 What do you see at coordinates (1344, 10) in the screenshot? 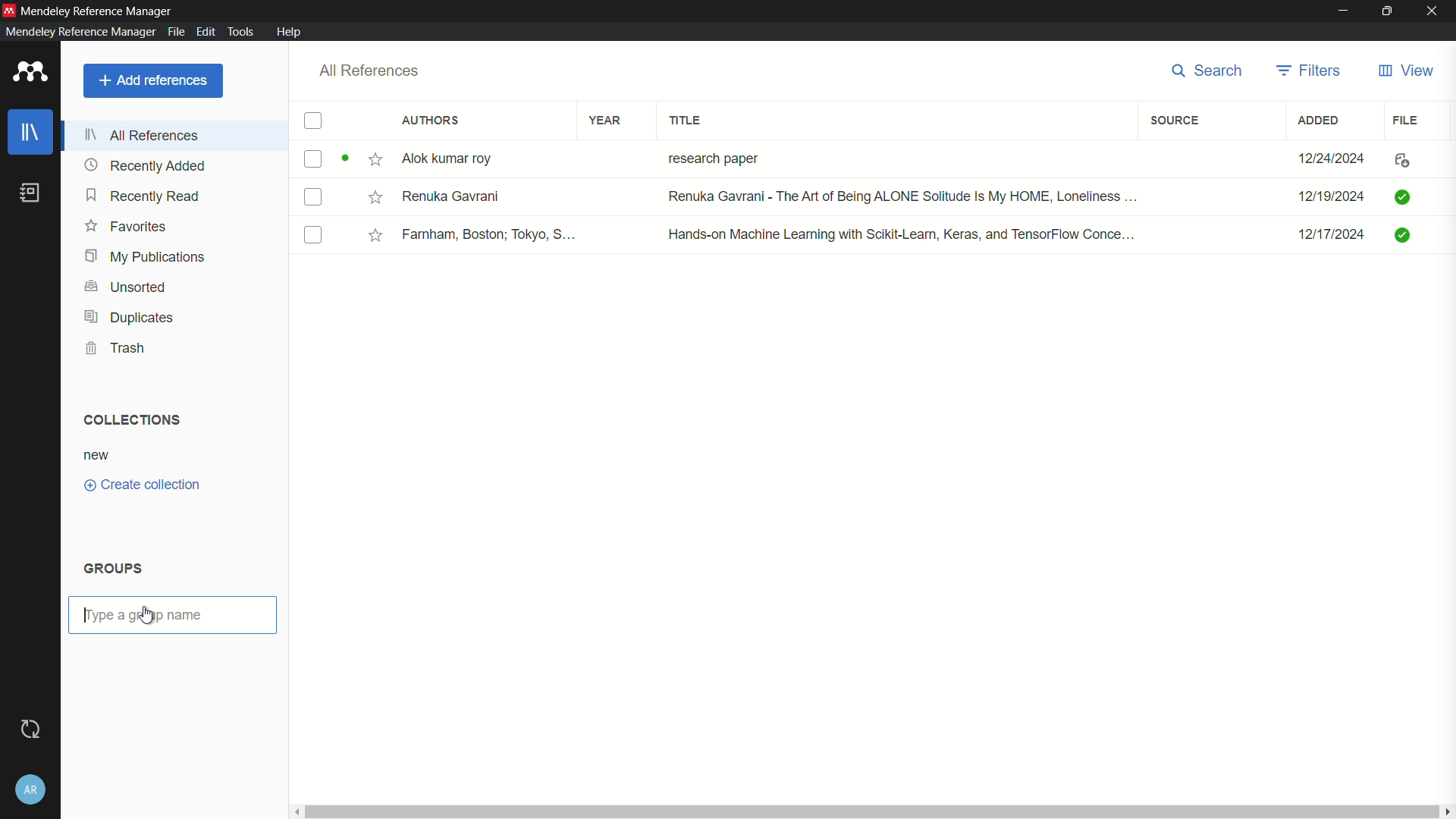
I see `minimize` at bounding box center [1344, 10].